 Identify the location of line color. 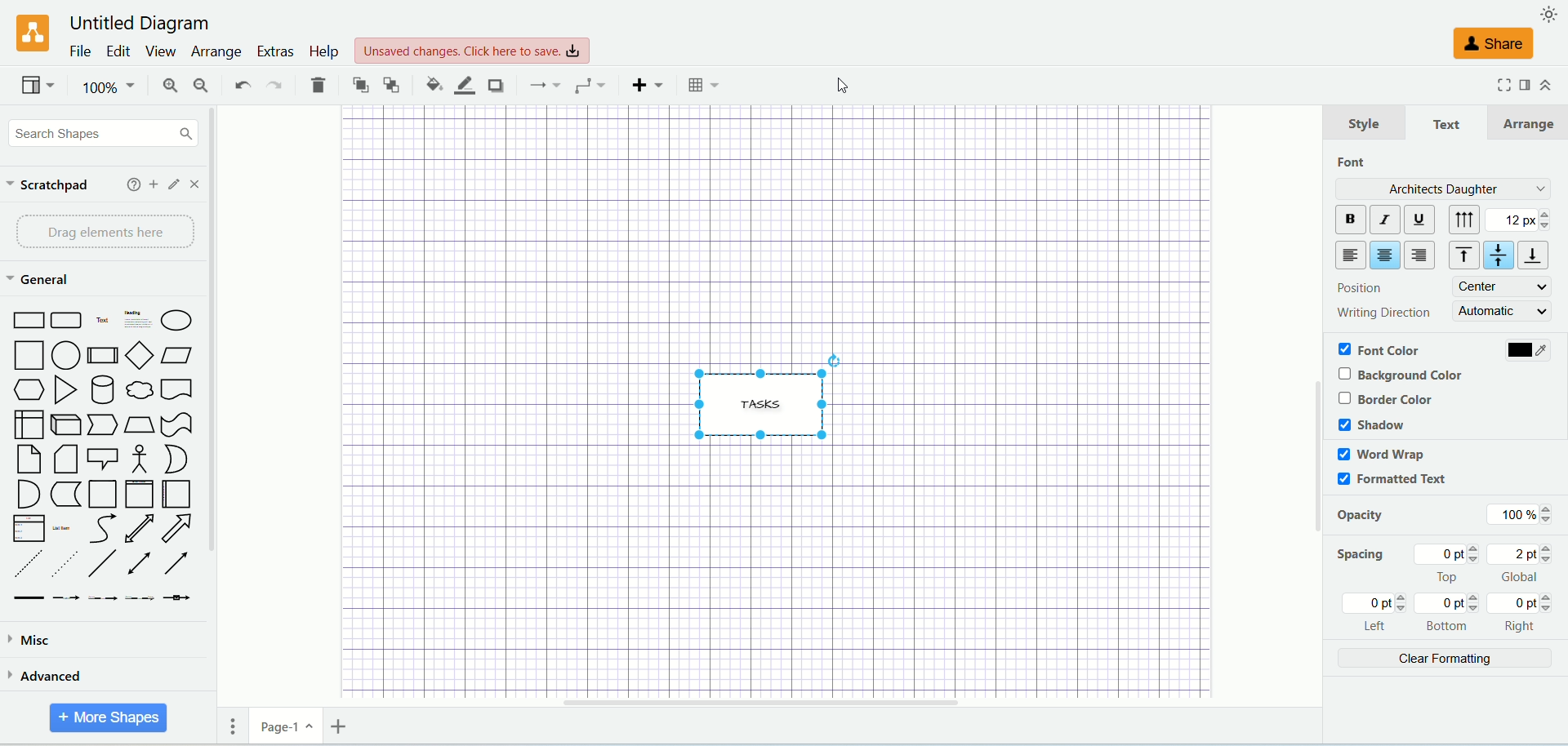
(459, 84).